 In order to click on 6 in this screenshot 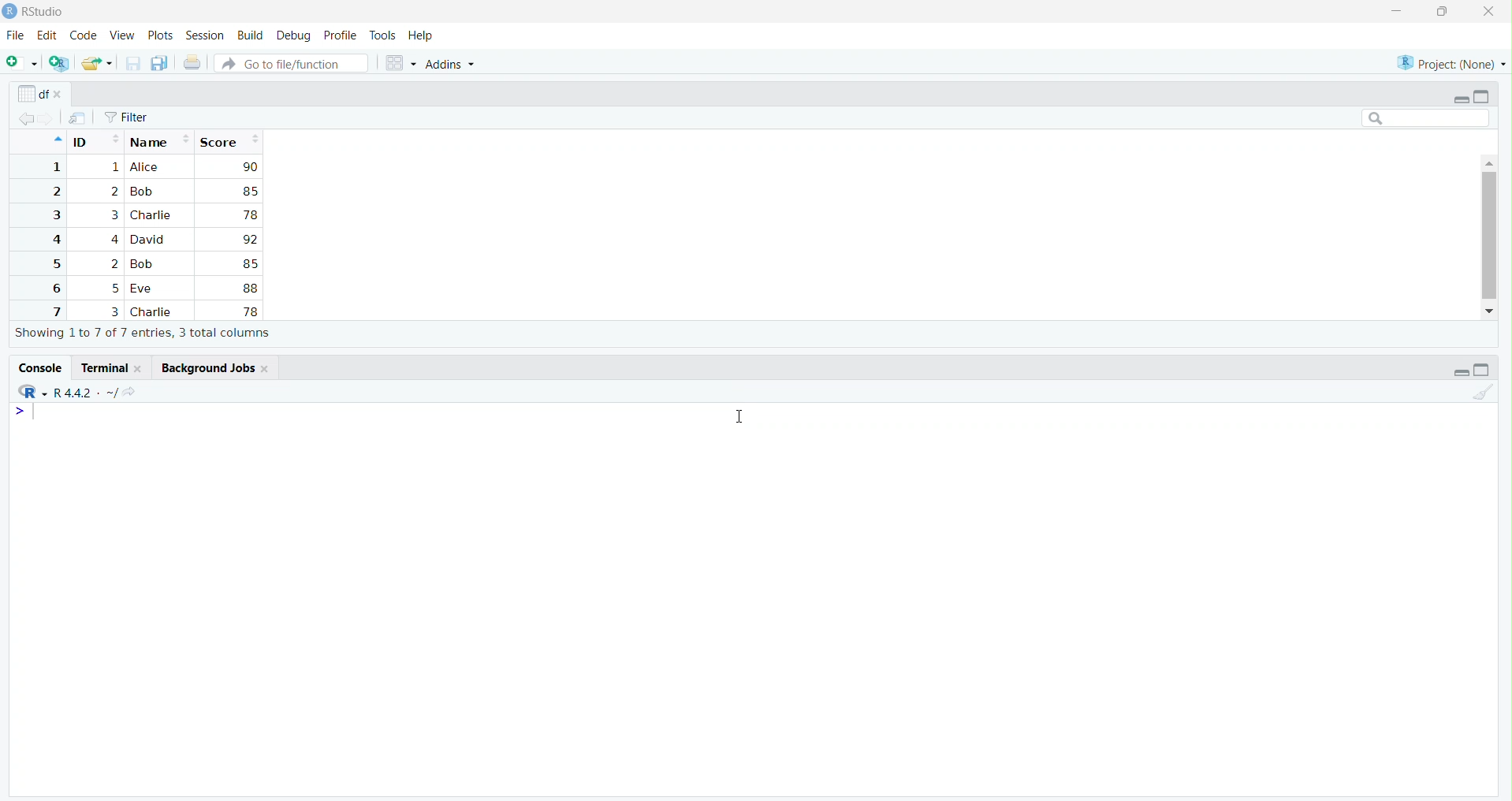, I will do `click(54, 288)`.